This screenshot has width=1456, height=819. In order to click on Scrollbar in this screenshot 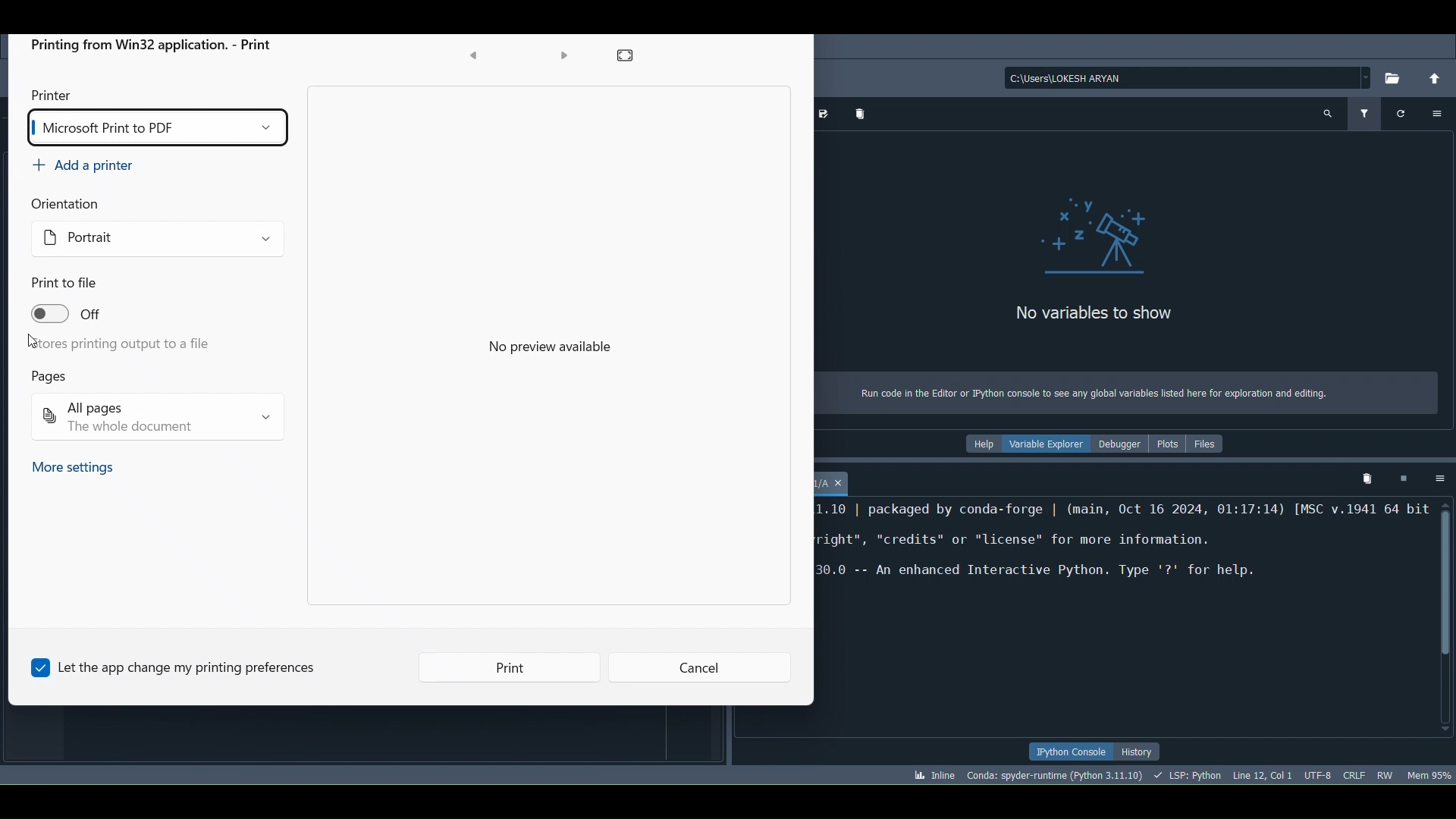, I will do `click(1447, 617)`.